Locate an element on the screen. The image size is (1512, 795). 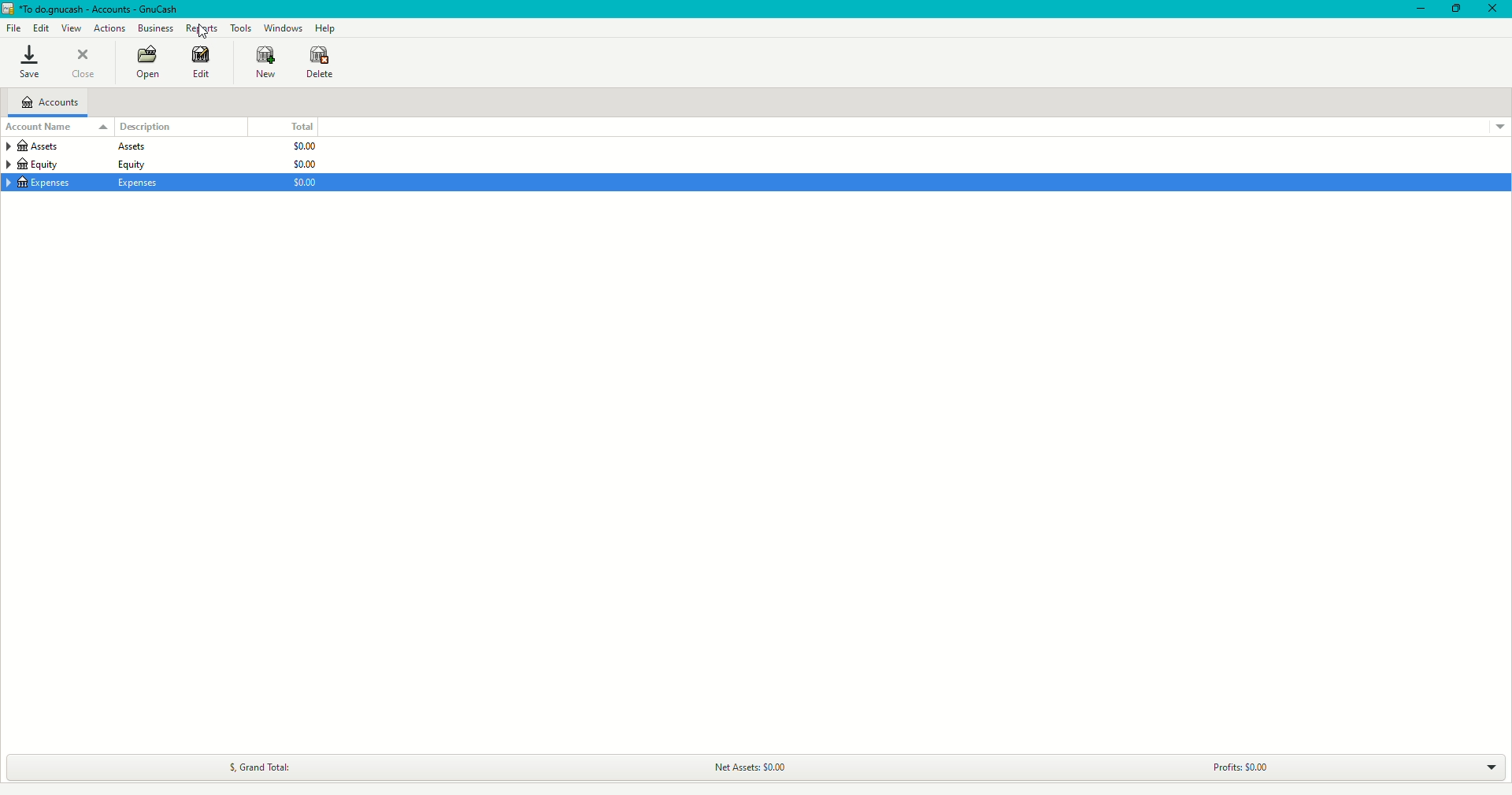
Net Assets is located at coordinates (754, 764).